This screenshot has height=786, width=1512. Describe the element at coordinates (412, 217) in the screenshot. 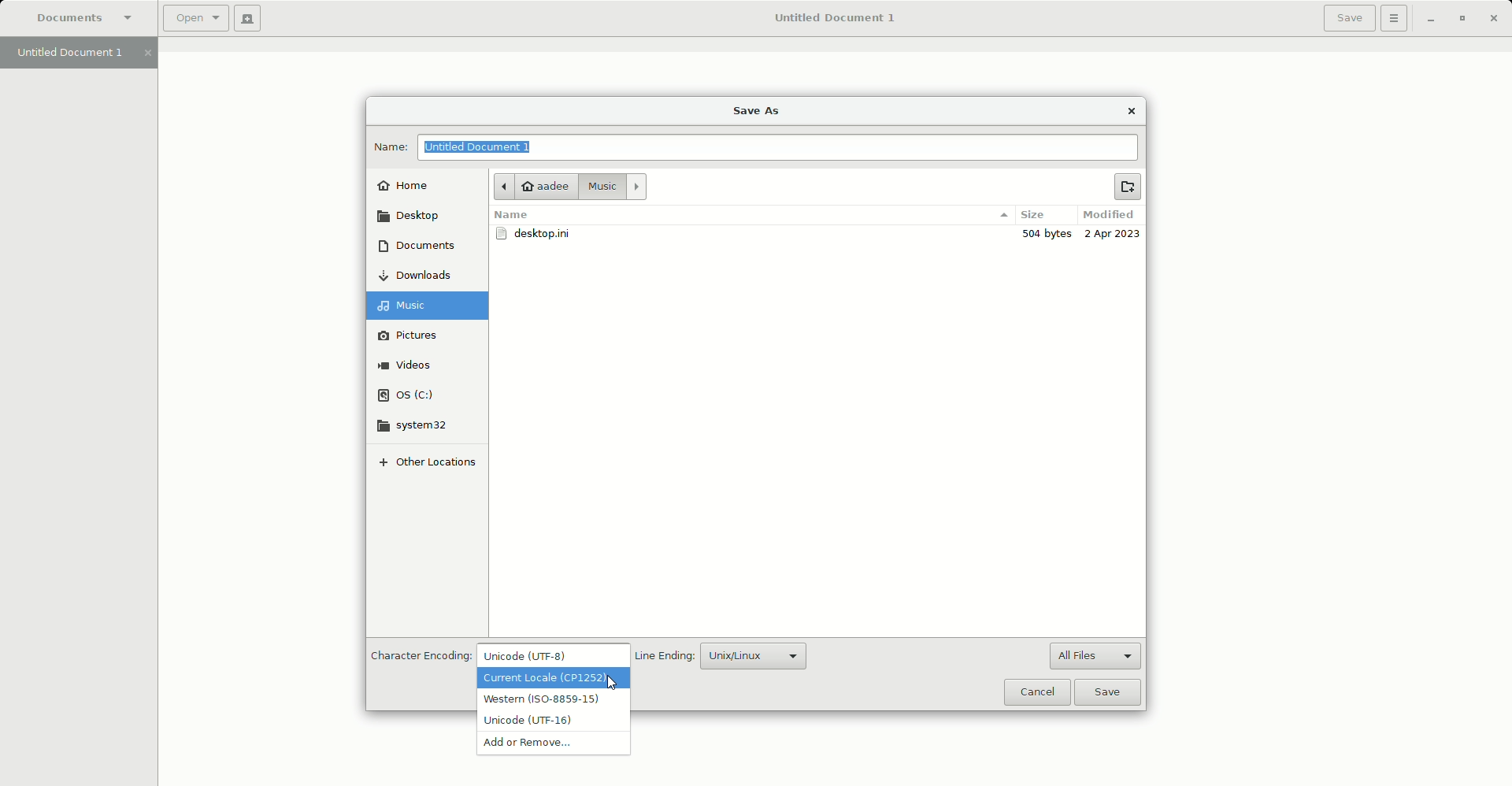

I see `Desktop` at that location.